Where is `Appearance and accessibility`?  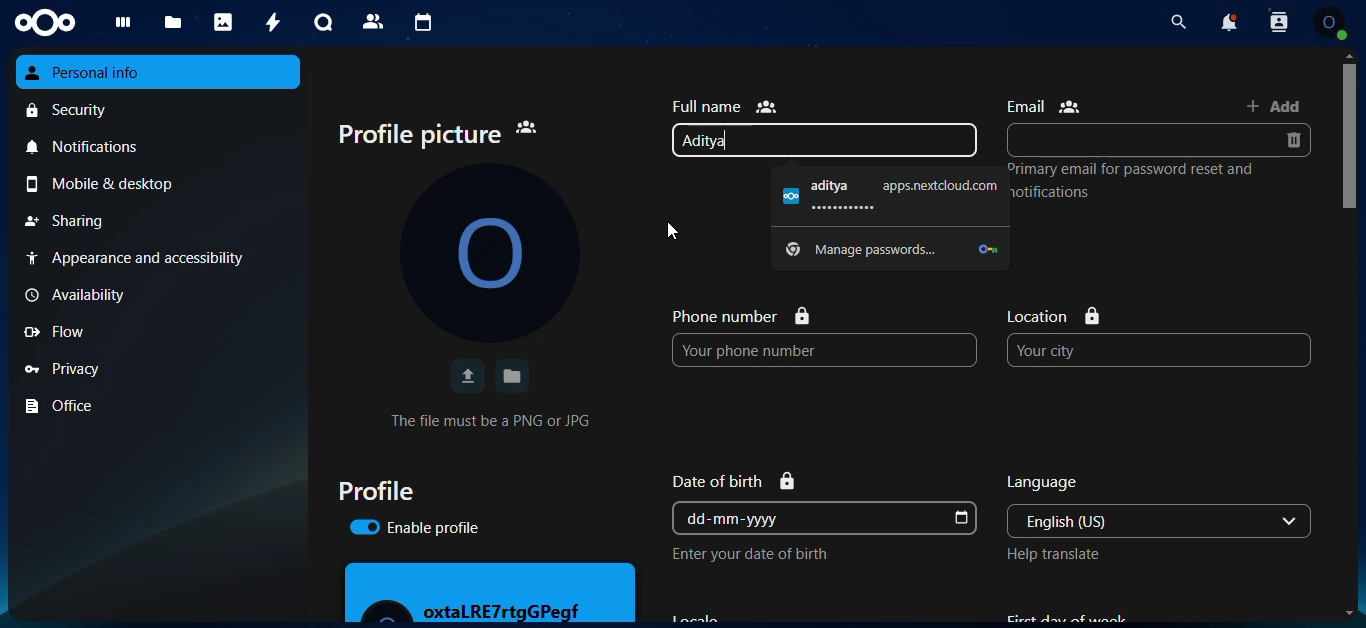 Appearance and accessibility is located at coordinates (157, 258).